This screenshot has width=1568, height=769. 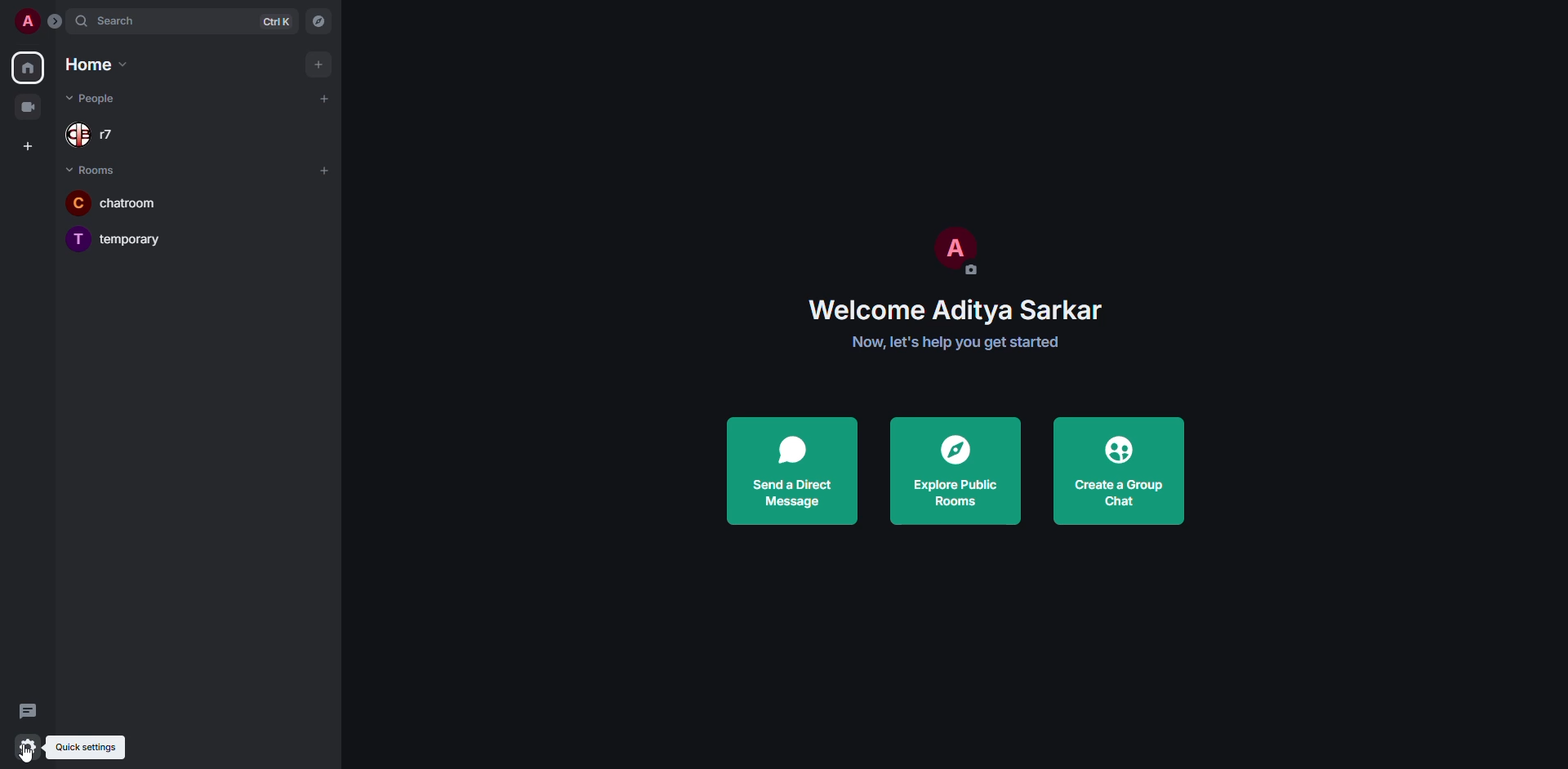 I want to click on create a group chat, so click(x=1119, y=471).